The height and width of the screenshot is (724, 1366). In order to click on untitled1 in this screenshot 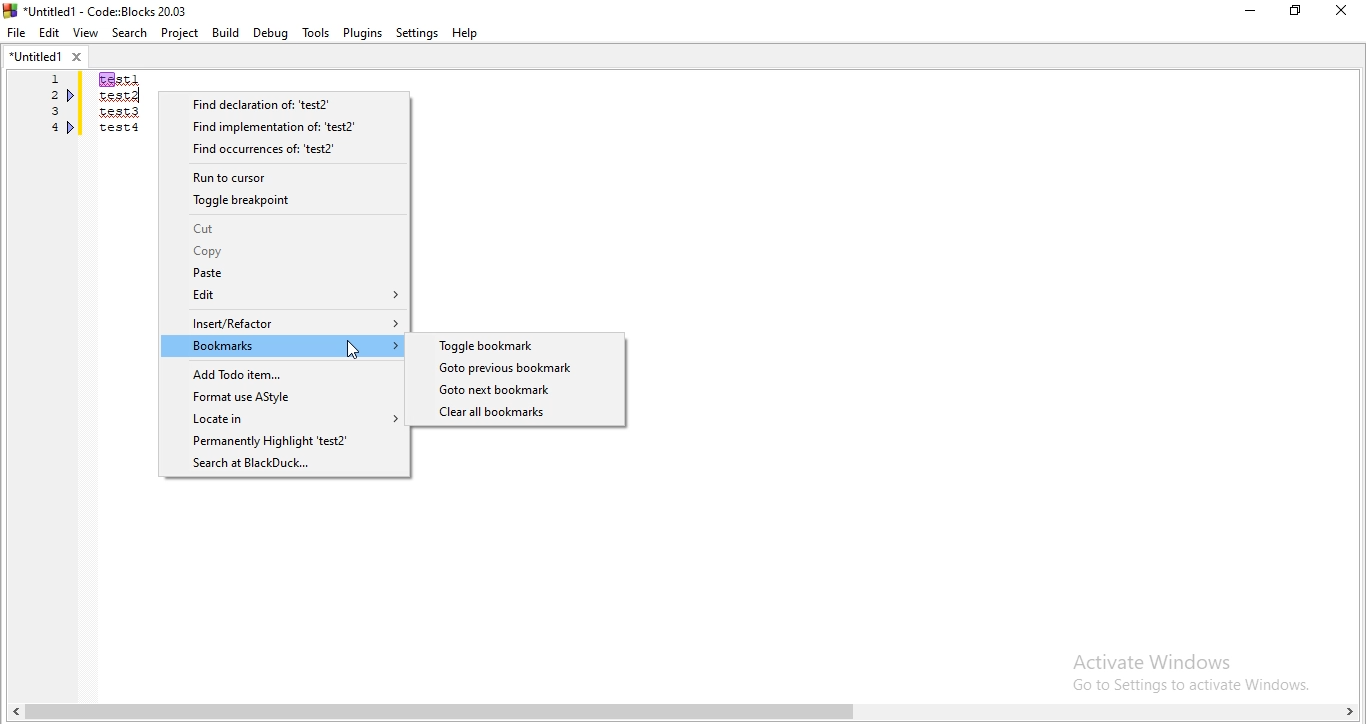, I will do `click(46, 55)`.